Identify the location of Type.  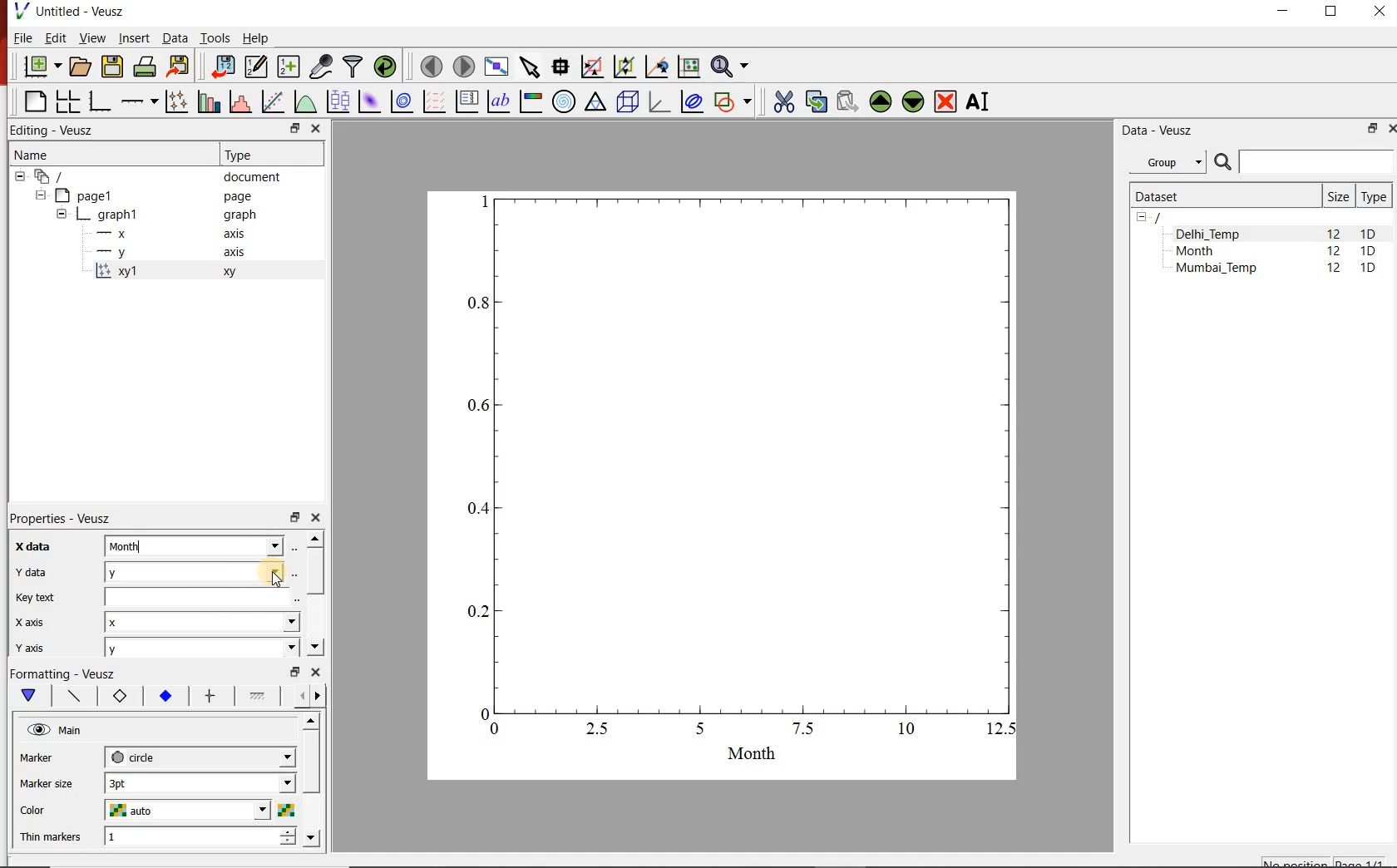
(1374, 196).